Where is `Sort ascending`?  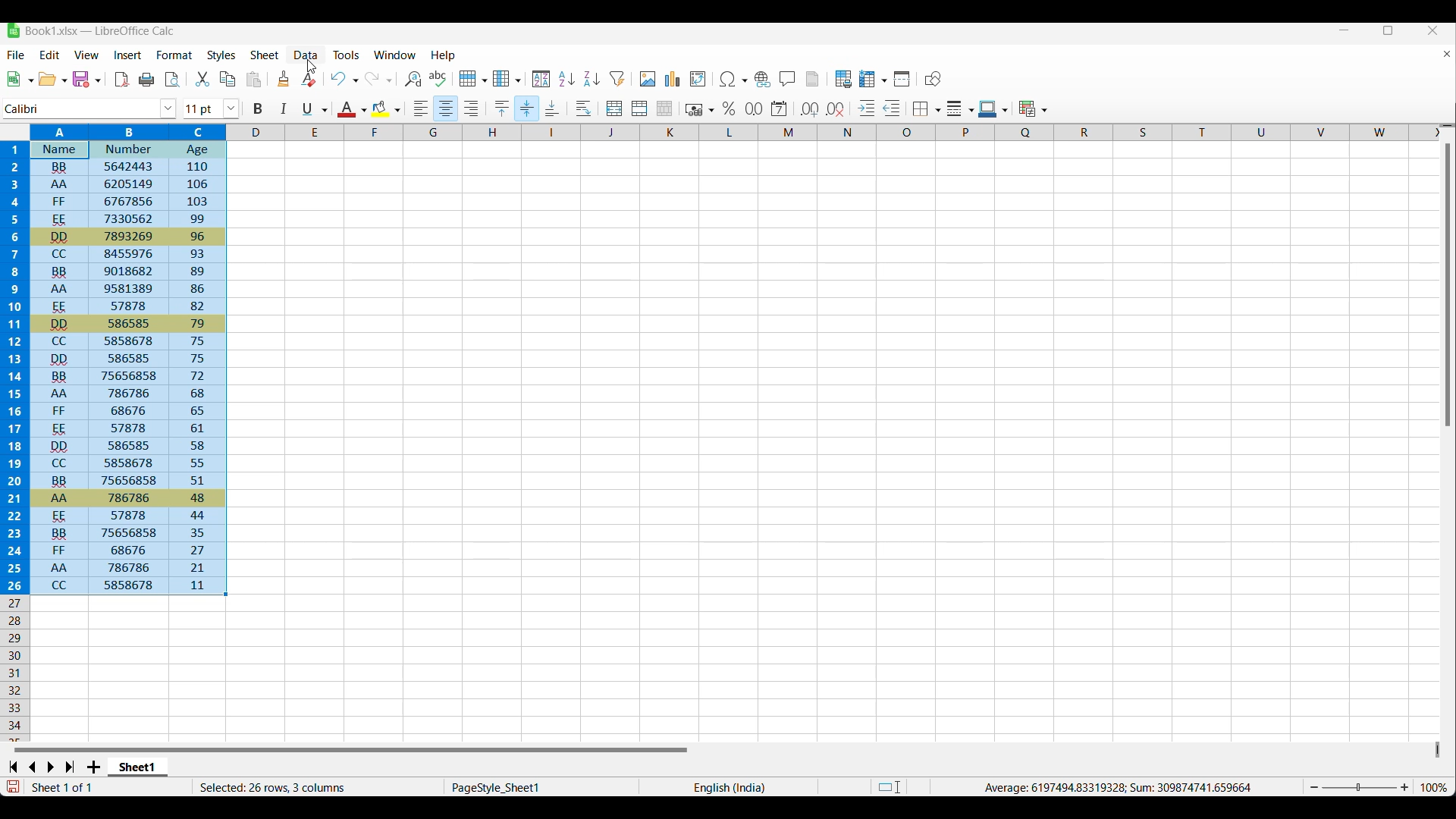 Sort ascending is located at coordinates (592, 79).